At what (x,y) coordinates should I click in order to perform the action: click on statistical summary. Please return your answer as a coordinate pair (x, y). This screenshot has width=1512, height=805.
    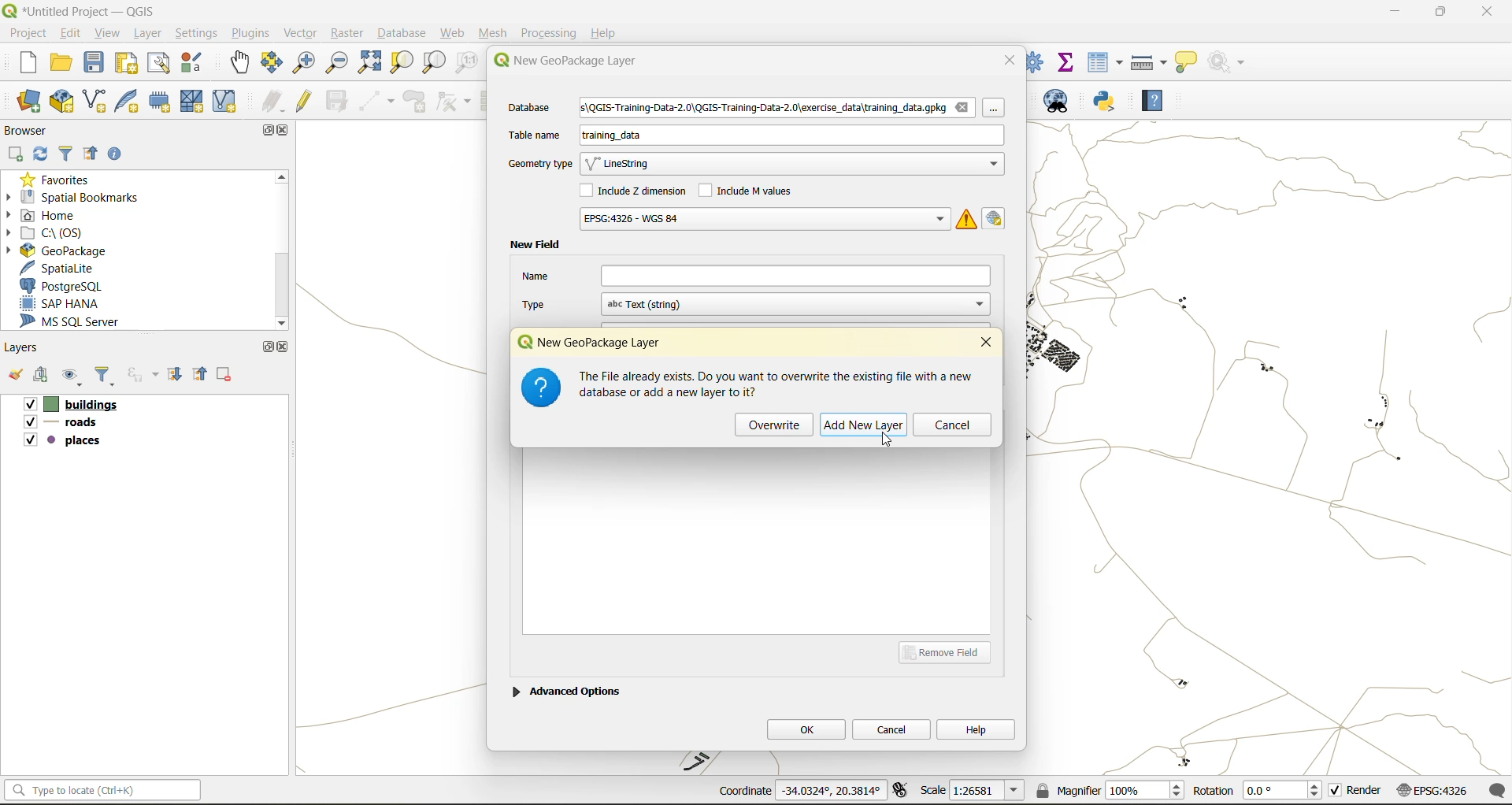
    Looking at the image, I should click on (1067, 61).